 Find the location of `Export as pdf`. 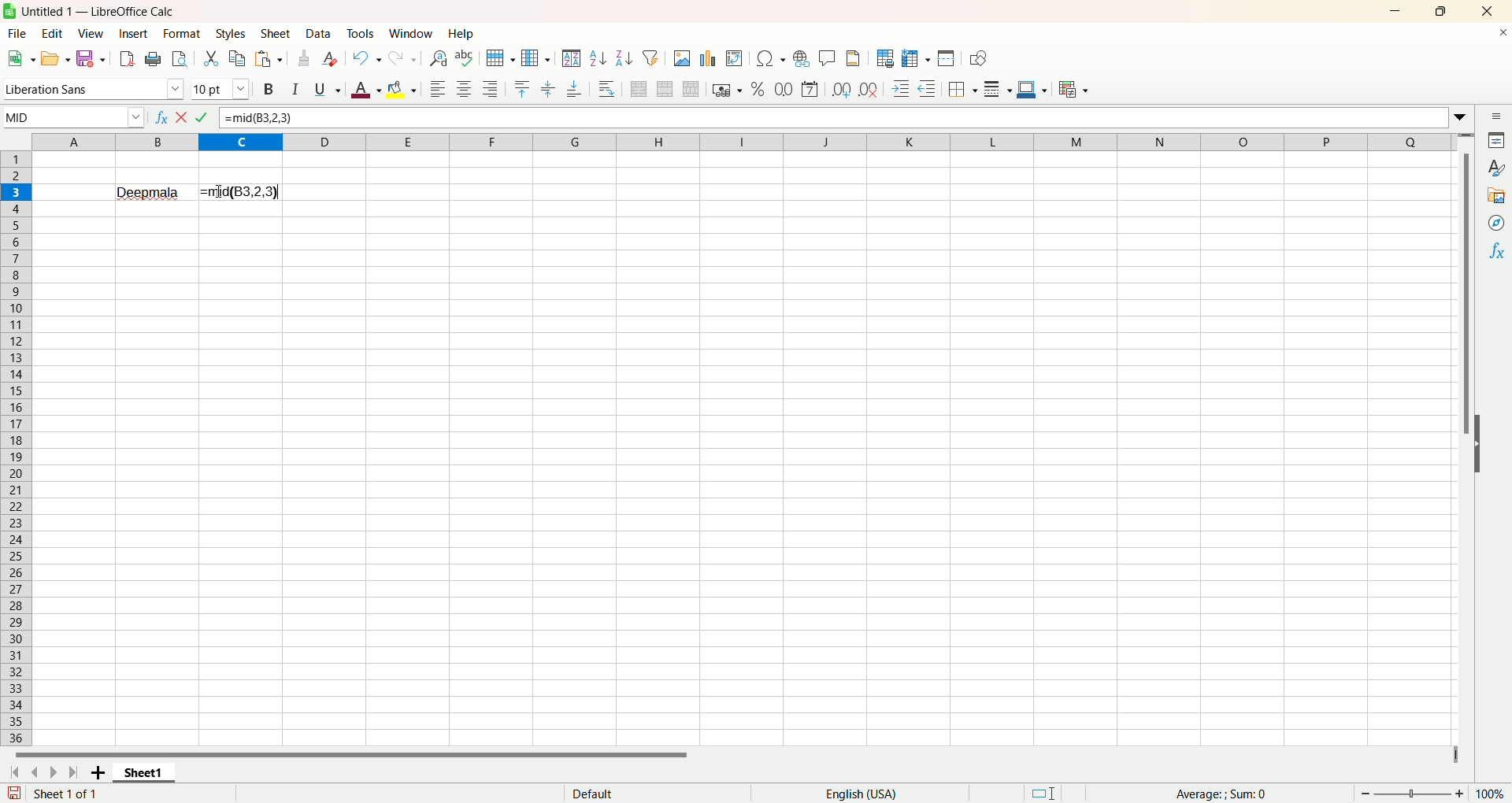

Export as pdf is located at coordinates (127, 58).